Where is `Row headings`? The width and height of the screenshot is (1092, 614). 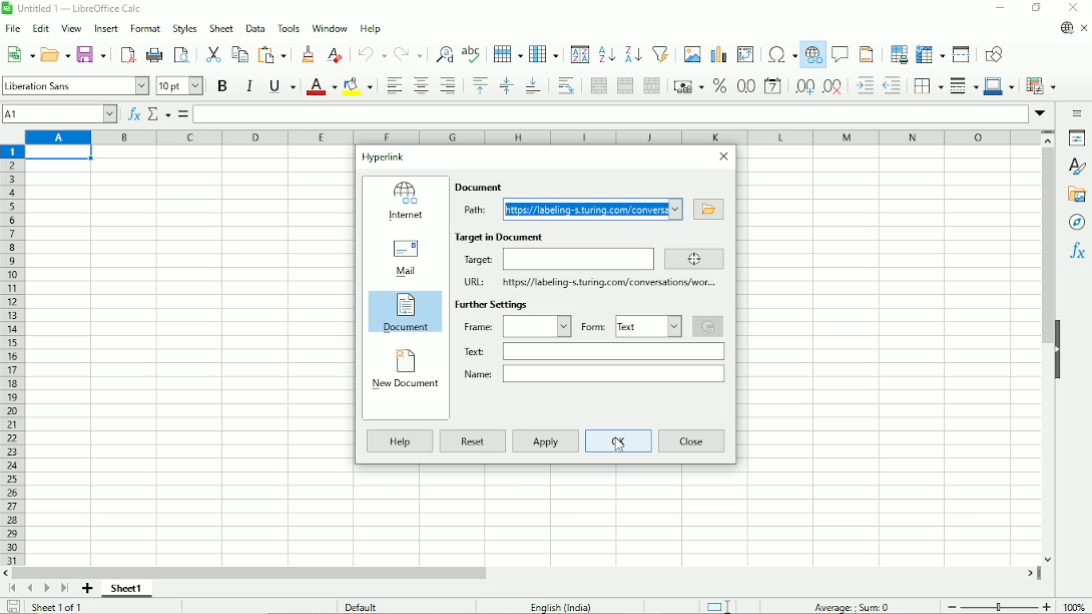
Row headings is located at coordinates (12, 355).